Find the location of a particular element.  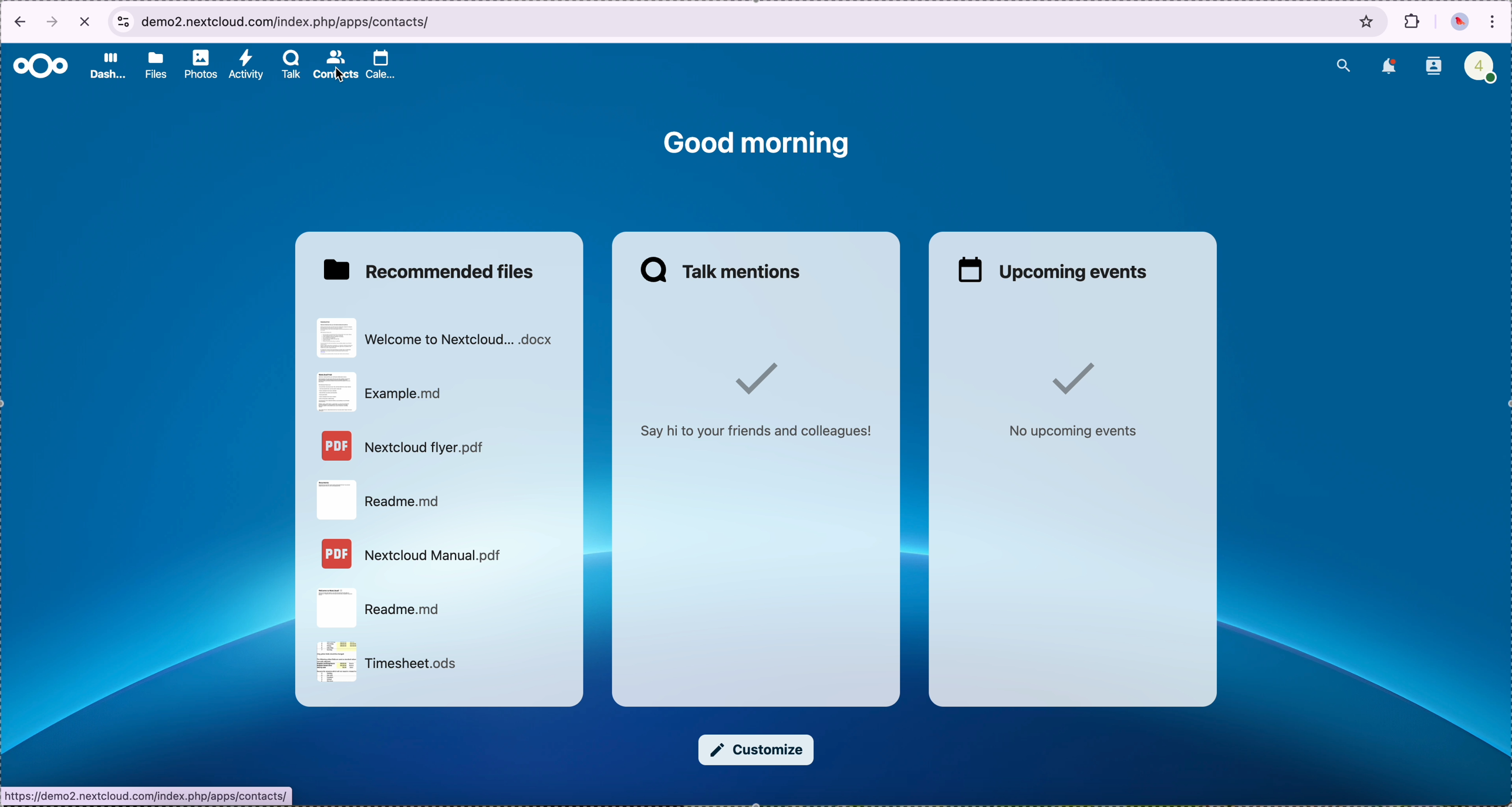

recommended files is located at coordinates (434, 269).